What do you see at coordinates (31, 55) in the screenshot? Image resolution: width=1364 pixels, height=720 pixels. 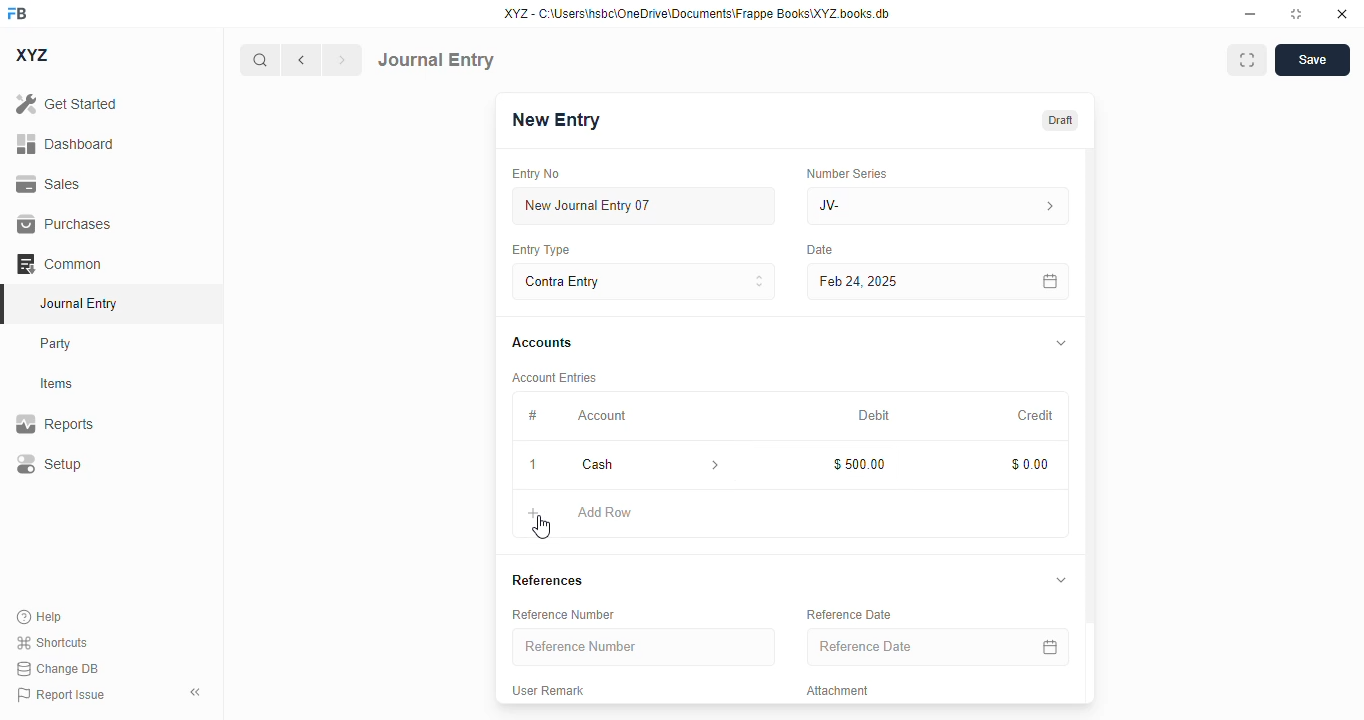 I see `XYZ` at bounding box center [31, 55].